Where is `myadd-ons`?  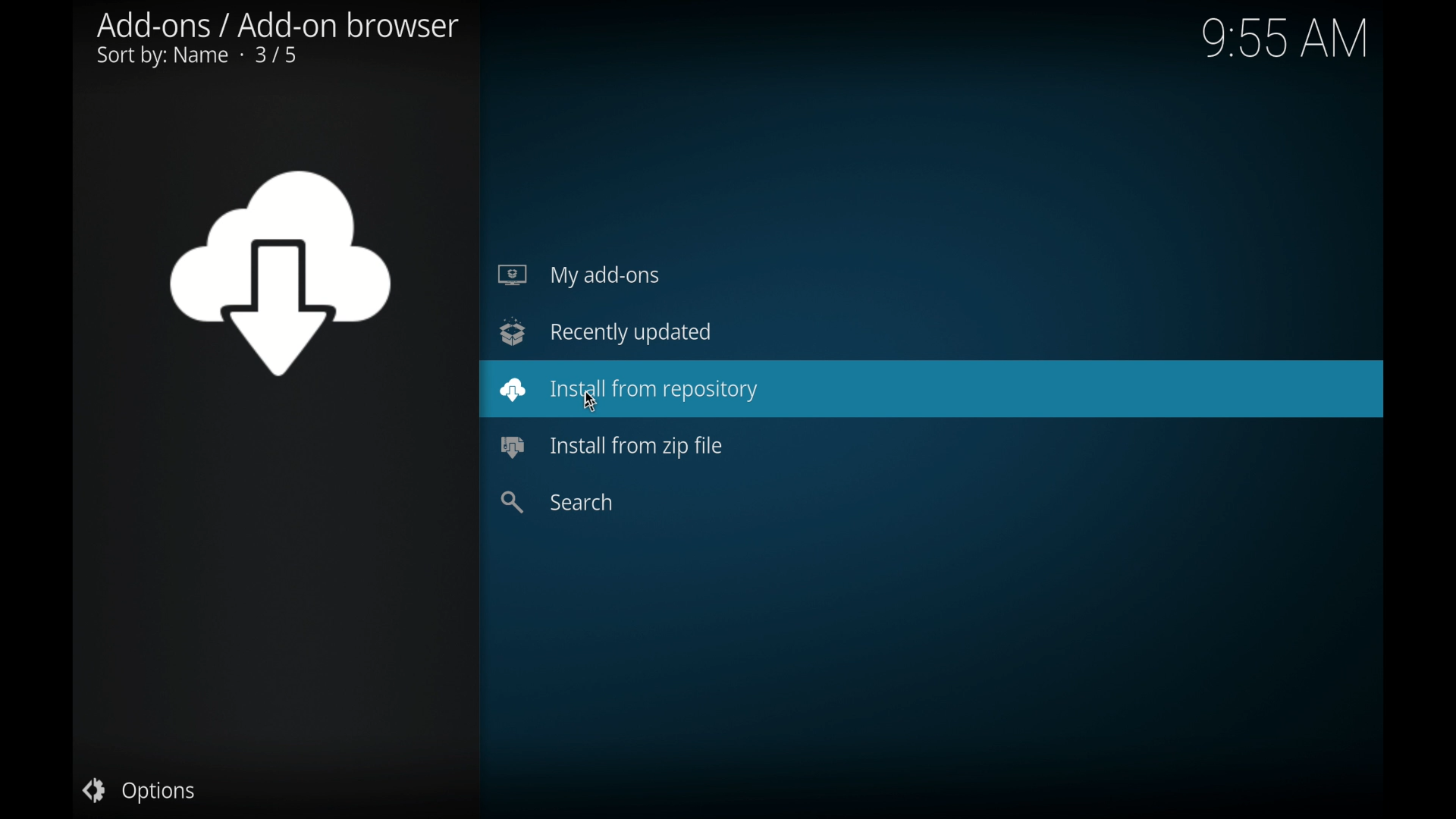
myadd-ons is located at coordinates (579, 275).